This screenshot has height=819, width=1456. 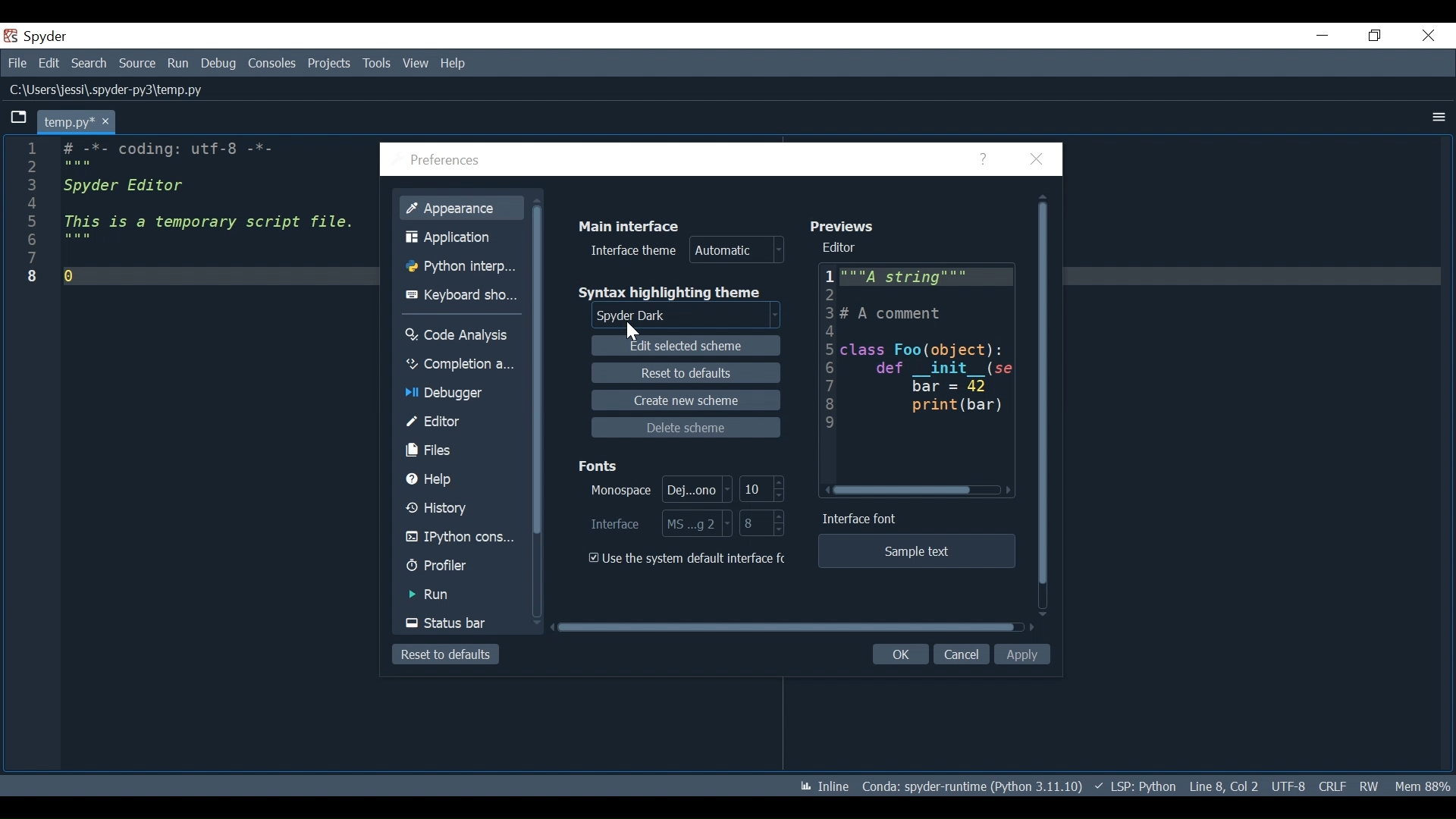 What do you see at coordinates (463, 208) in the screenshot?
I see `Appearance` at bounding box center [463, 208].